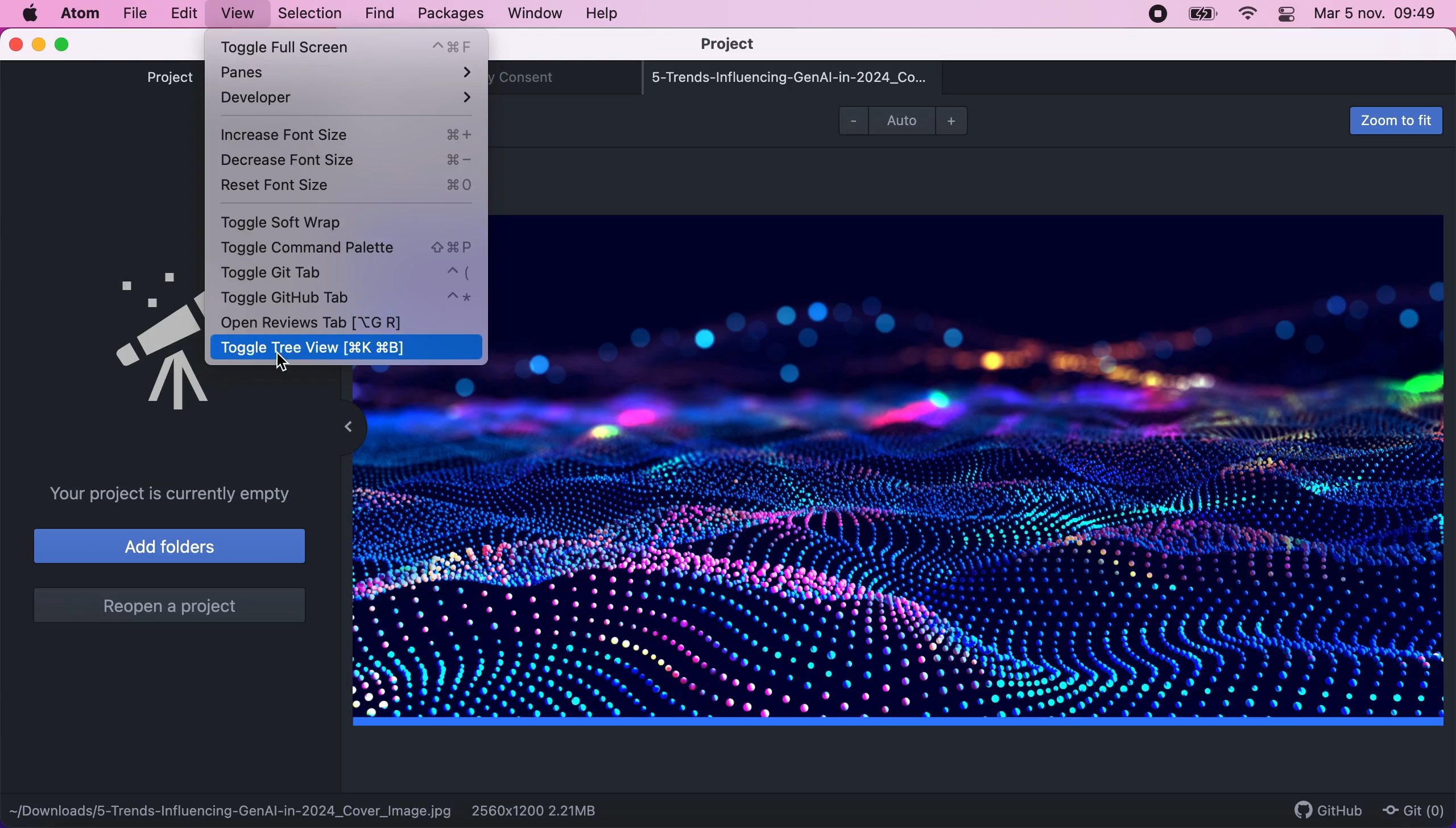 This screenshot has width=1456, height=828. I want to click on add folders, so click(177, 547).